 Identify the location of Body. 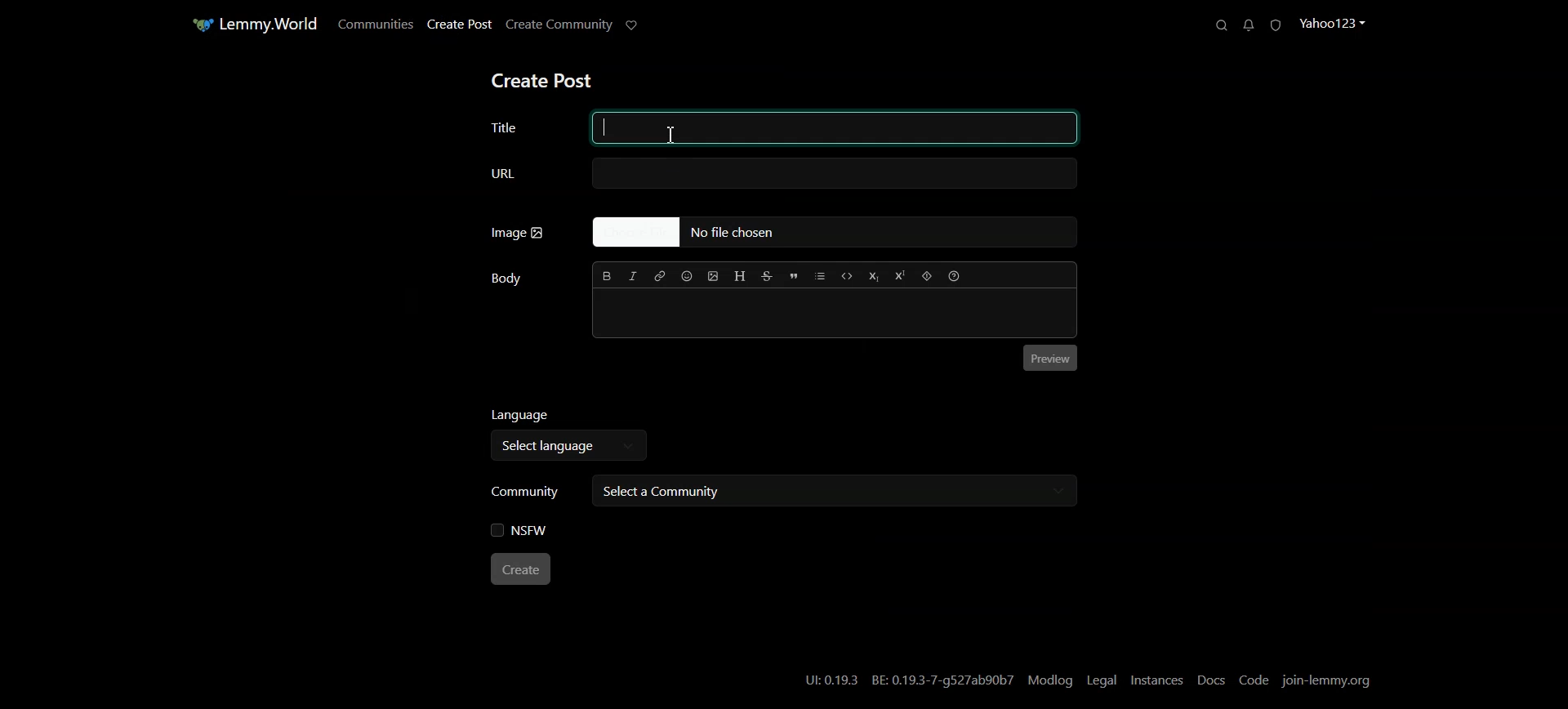
(506, 279).